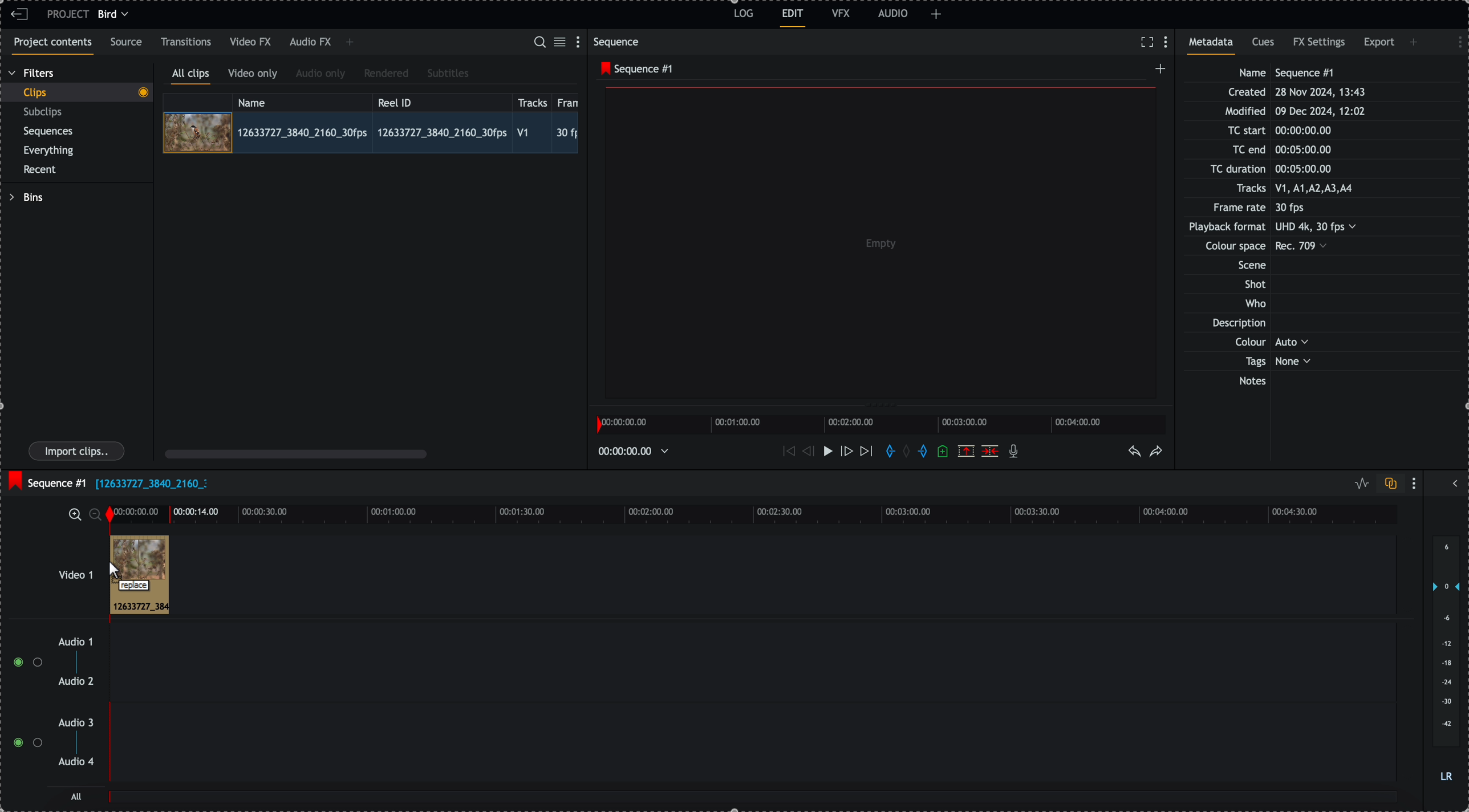  Describe the element at coordinates (1417, 483) in the screenshot. I see `show settings menu` at that location.